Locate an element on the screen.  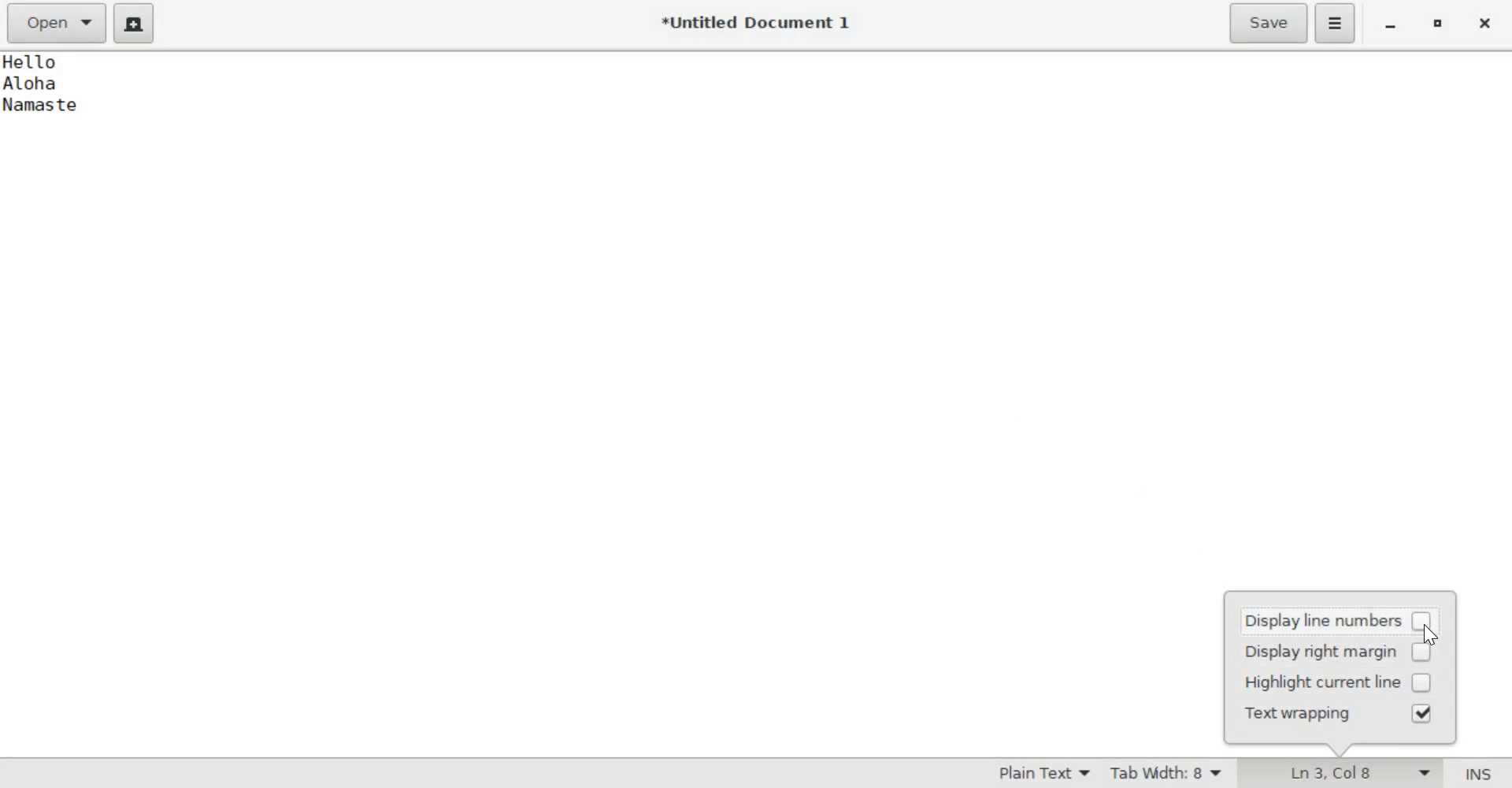
*Untitled Document 1 is located at coordinates (754, 20).